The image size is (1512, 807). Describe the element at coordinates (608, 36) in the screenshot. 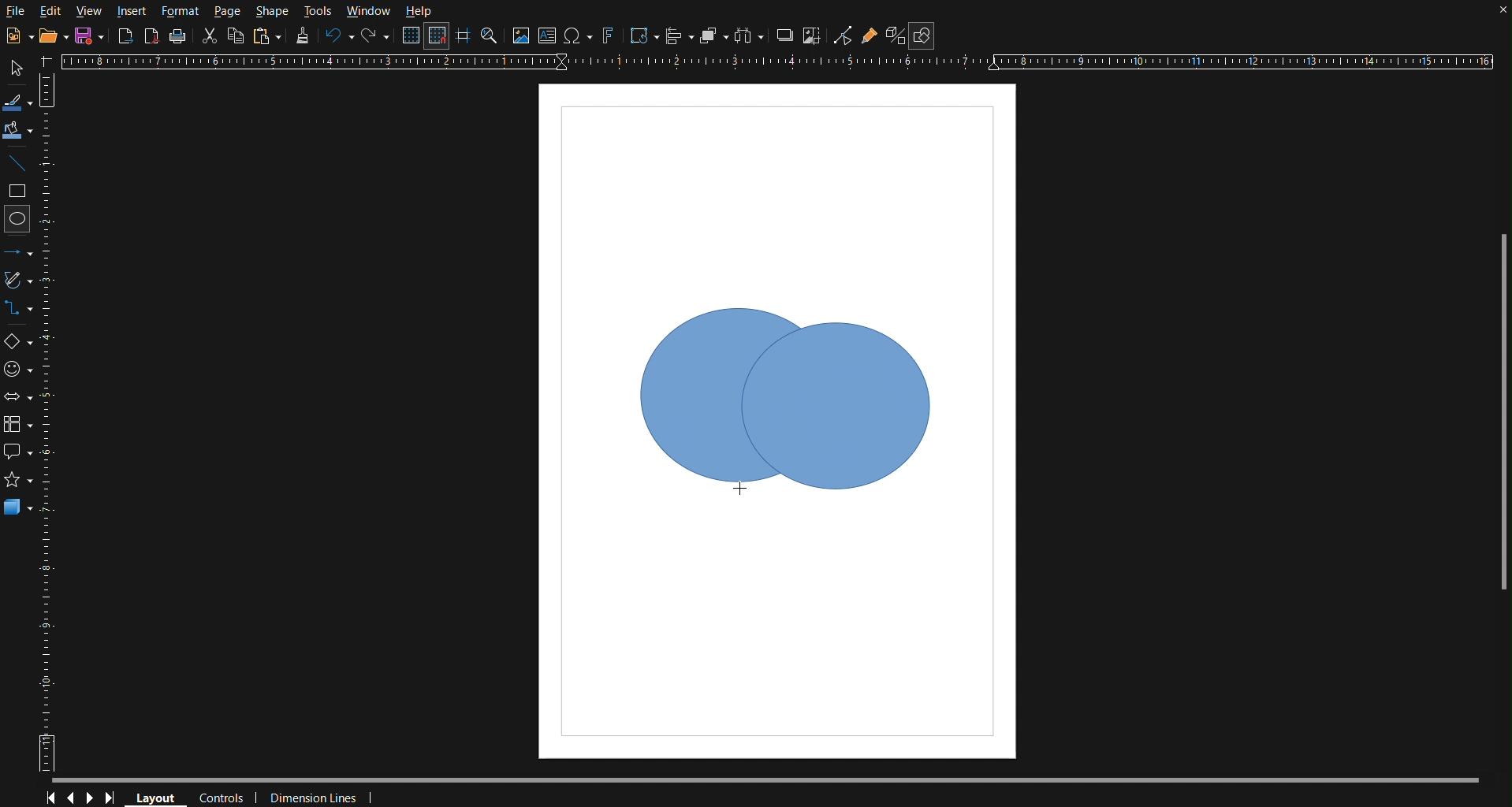

I see `Fontworks` at that location.